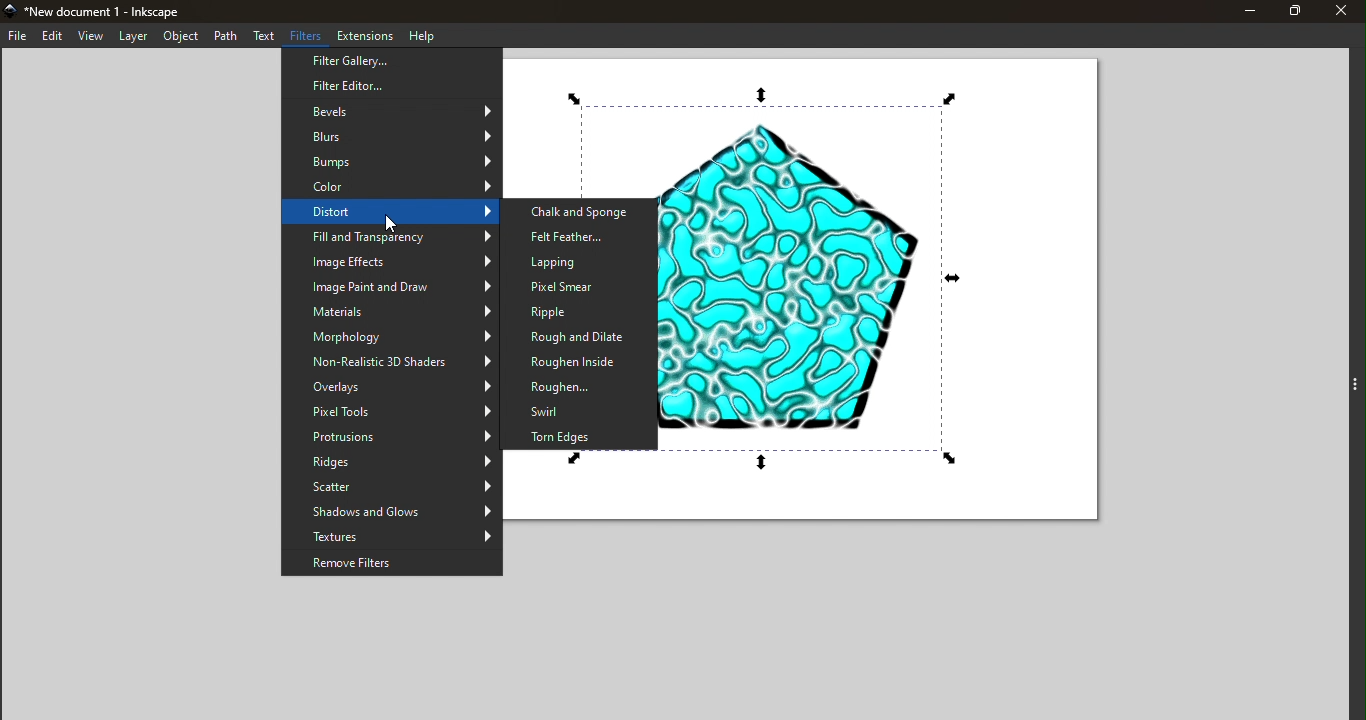 The image size is (1366, 720). What do you see at coordinates (116, 10) in the screenshot?
I see `New document 1 - Inkscape` at bounding box center [116, 10].